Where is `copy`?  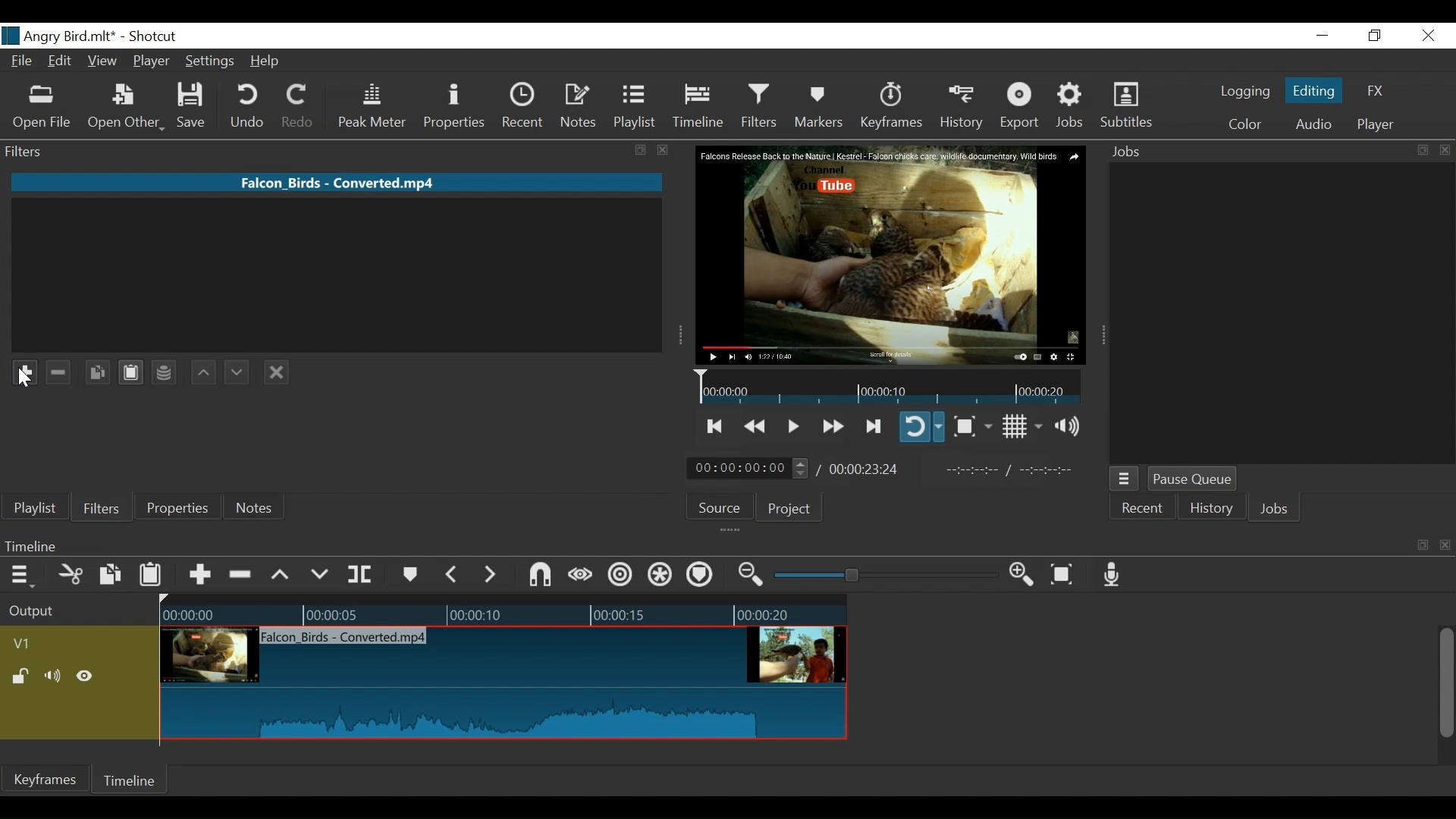 copy is located at coordinates (1423, 545).